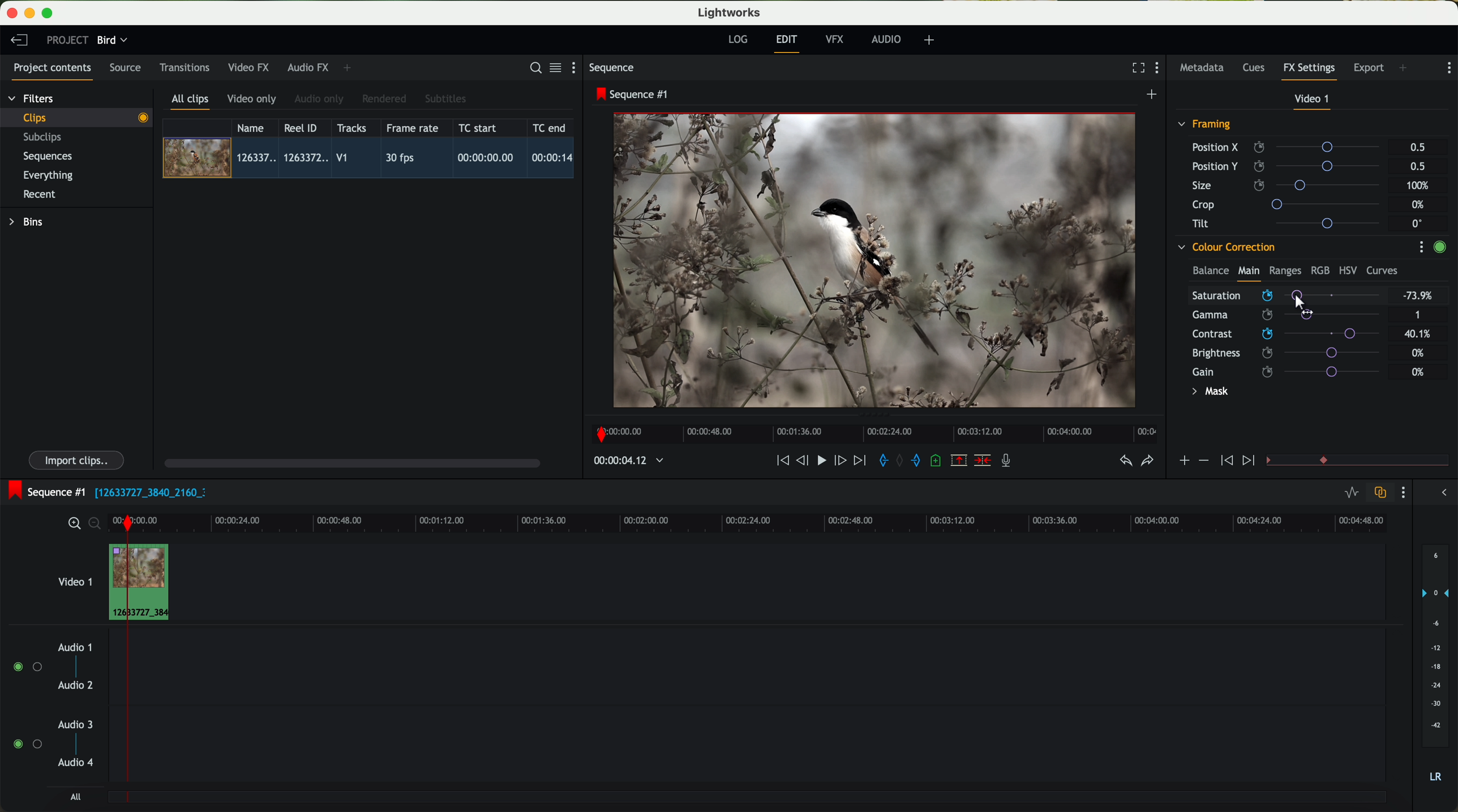  I want to click on fx settings, so click(1309, 71).